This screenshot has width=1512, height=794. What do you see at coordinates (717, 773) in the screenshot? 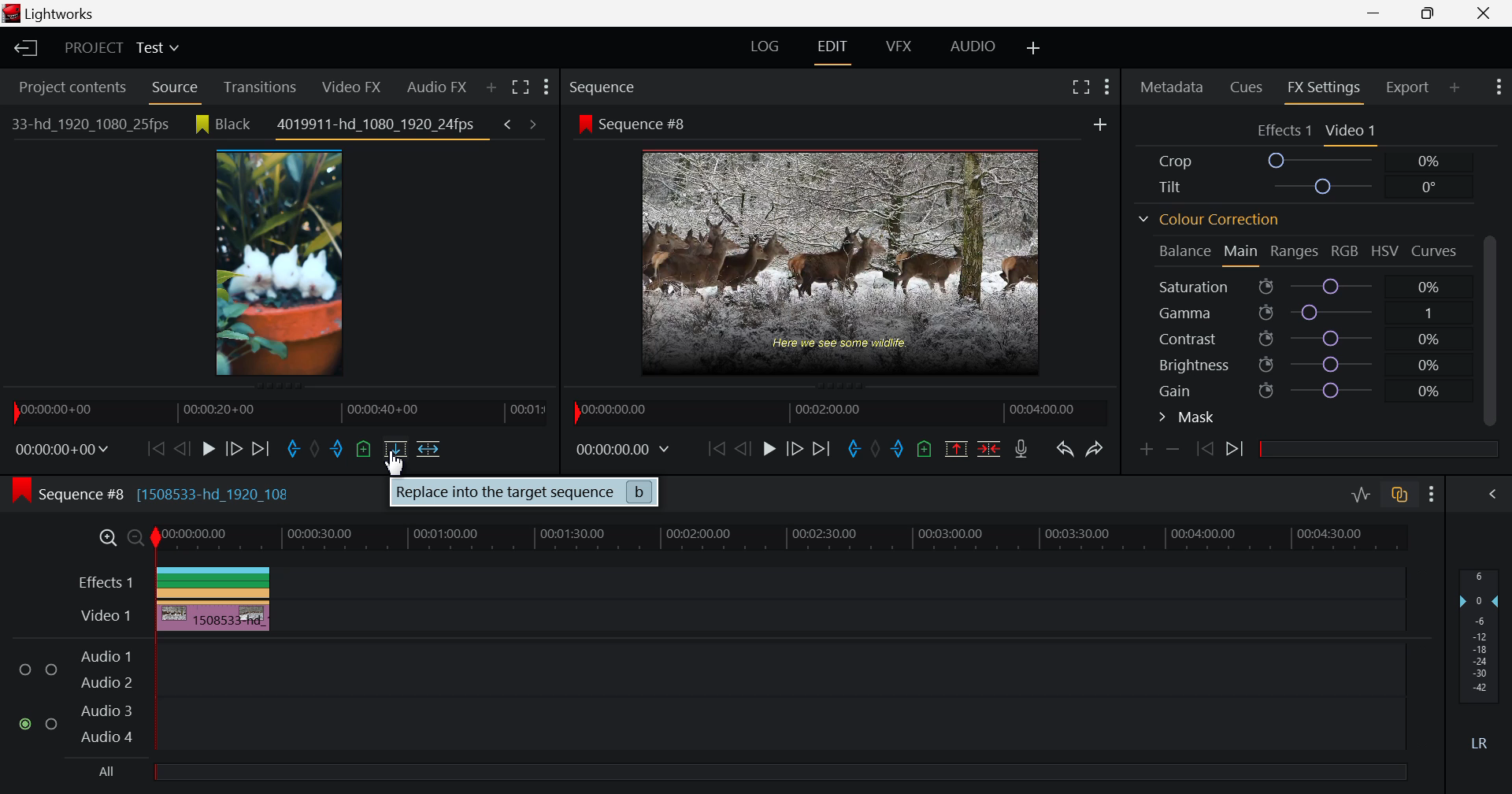
I see `All` at bounding box center [717, 773].